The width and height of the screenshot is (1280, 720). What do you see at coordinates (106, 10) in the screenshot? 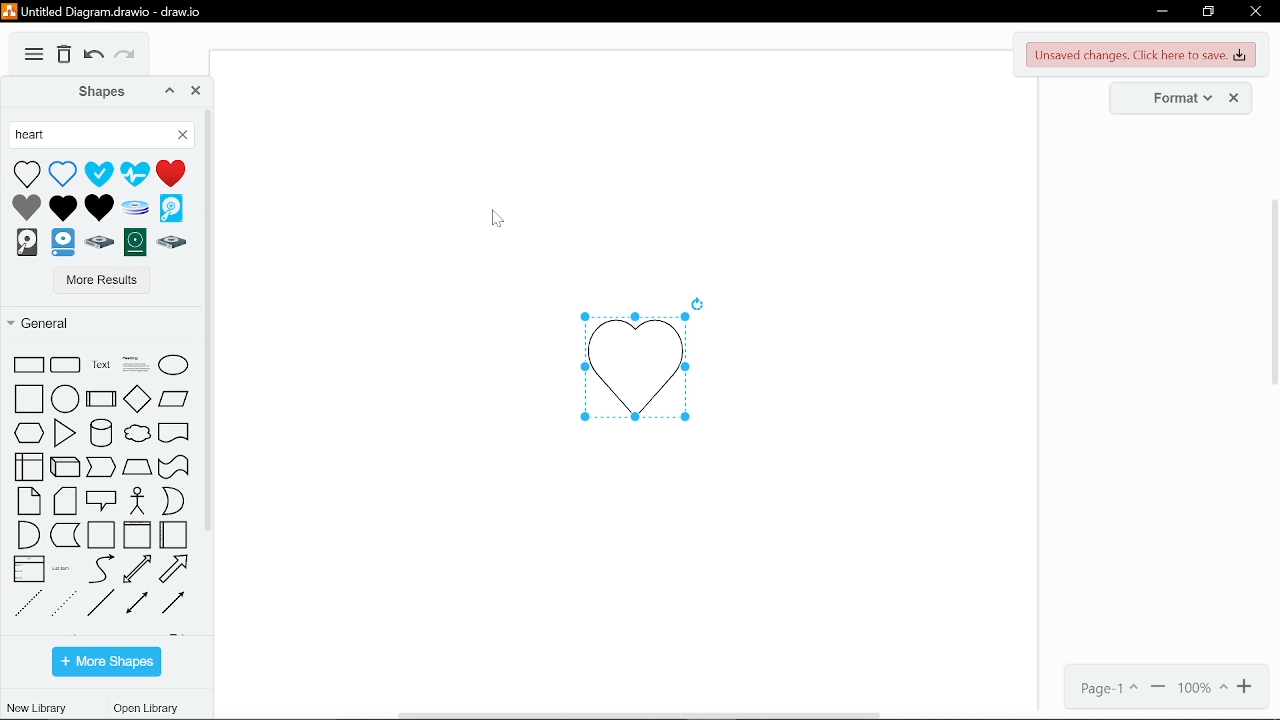
I see `Untitled Diagram.drawio - draw.io` at bounding box center [106, 10].